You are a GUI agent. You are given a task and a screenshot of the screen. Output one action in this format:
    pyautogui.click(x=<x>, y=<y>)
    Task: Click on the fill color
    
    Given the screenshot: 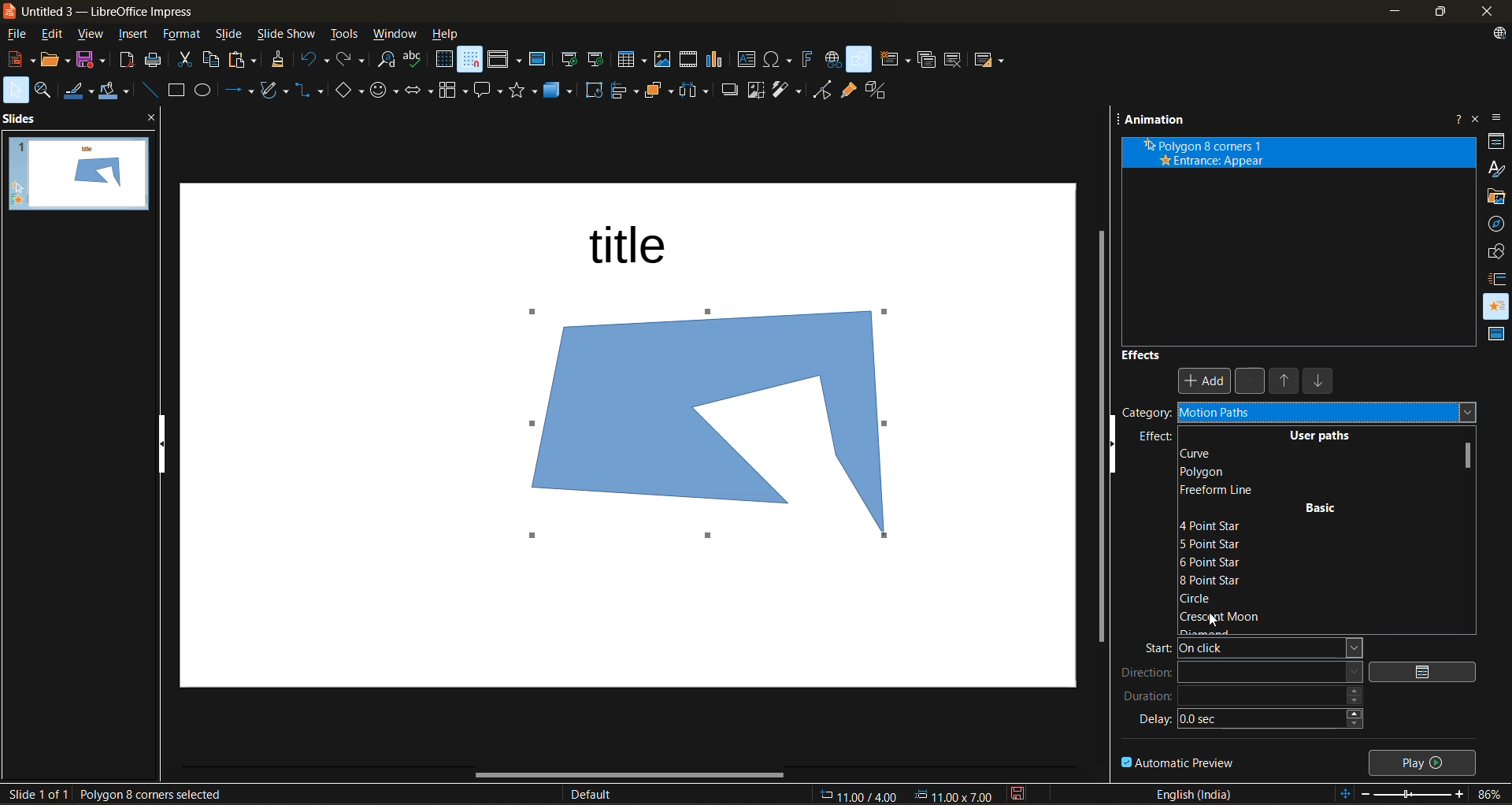 What is the action you would take?
    pyautogui.click(x=117, y=94)
    